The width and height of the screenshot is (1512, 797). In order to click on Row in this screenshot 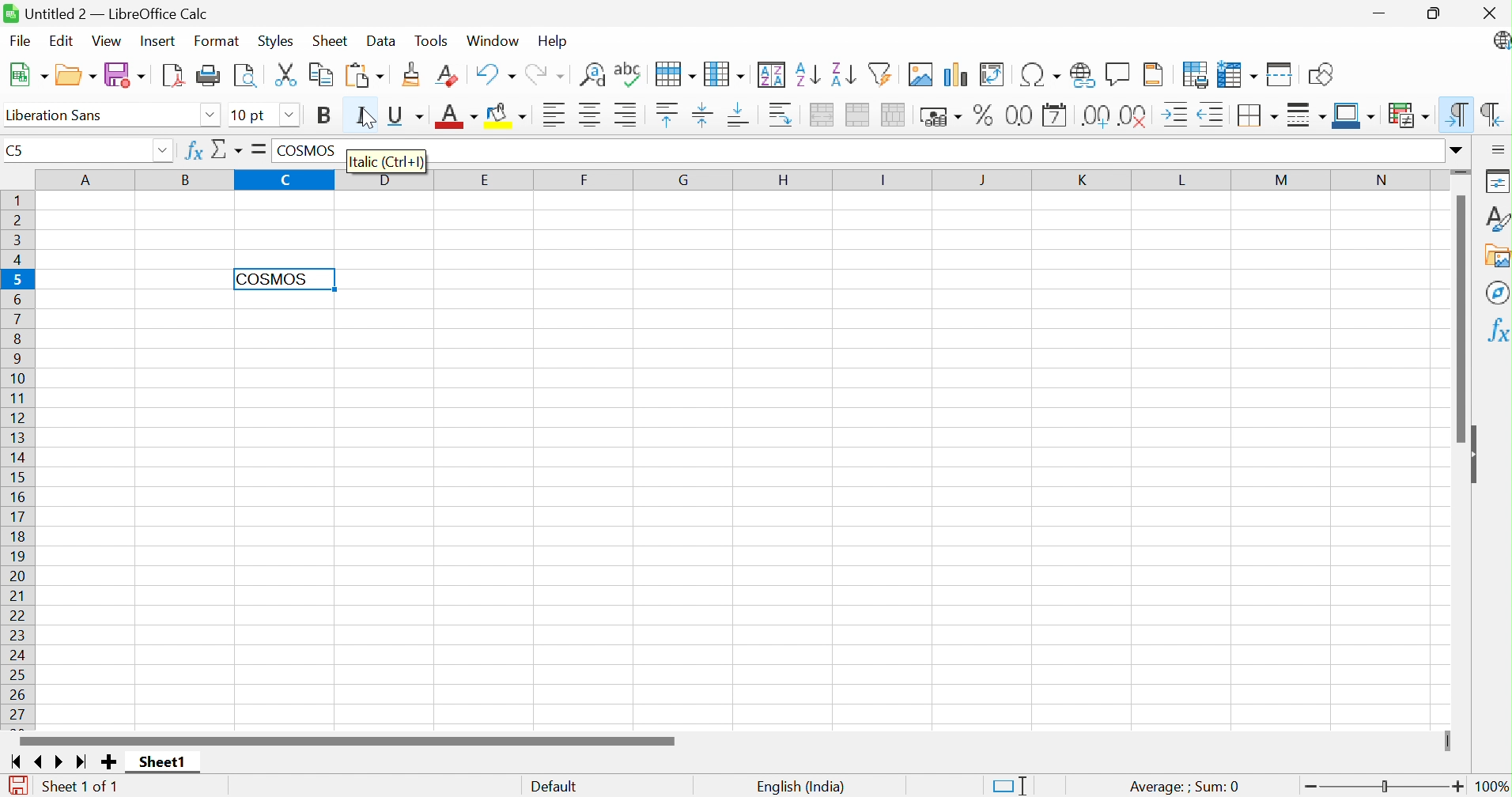, I will do `click(676, 76)`.